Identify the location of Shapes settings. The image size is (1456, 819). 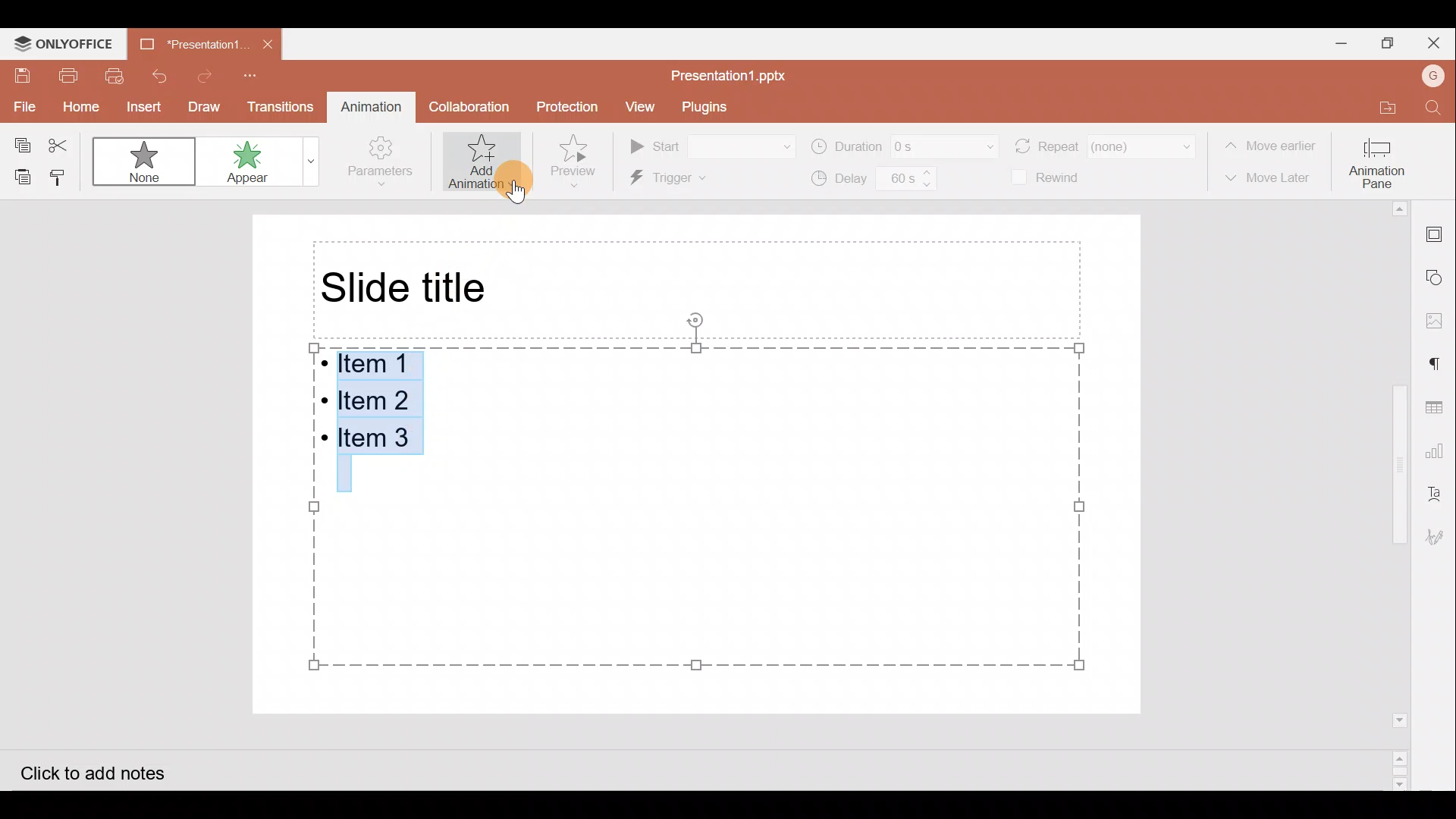
(1439, 275).